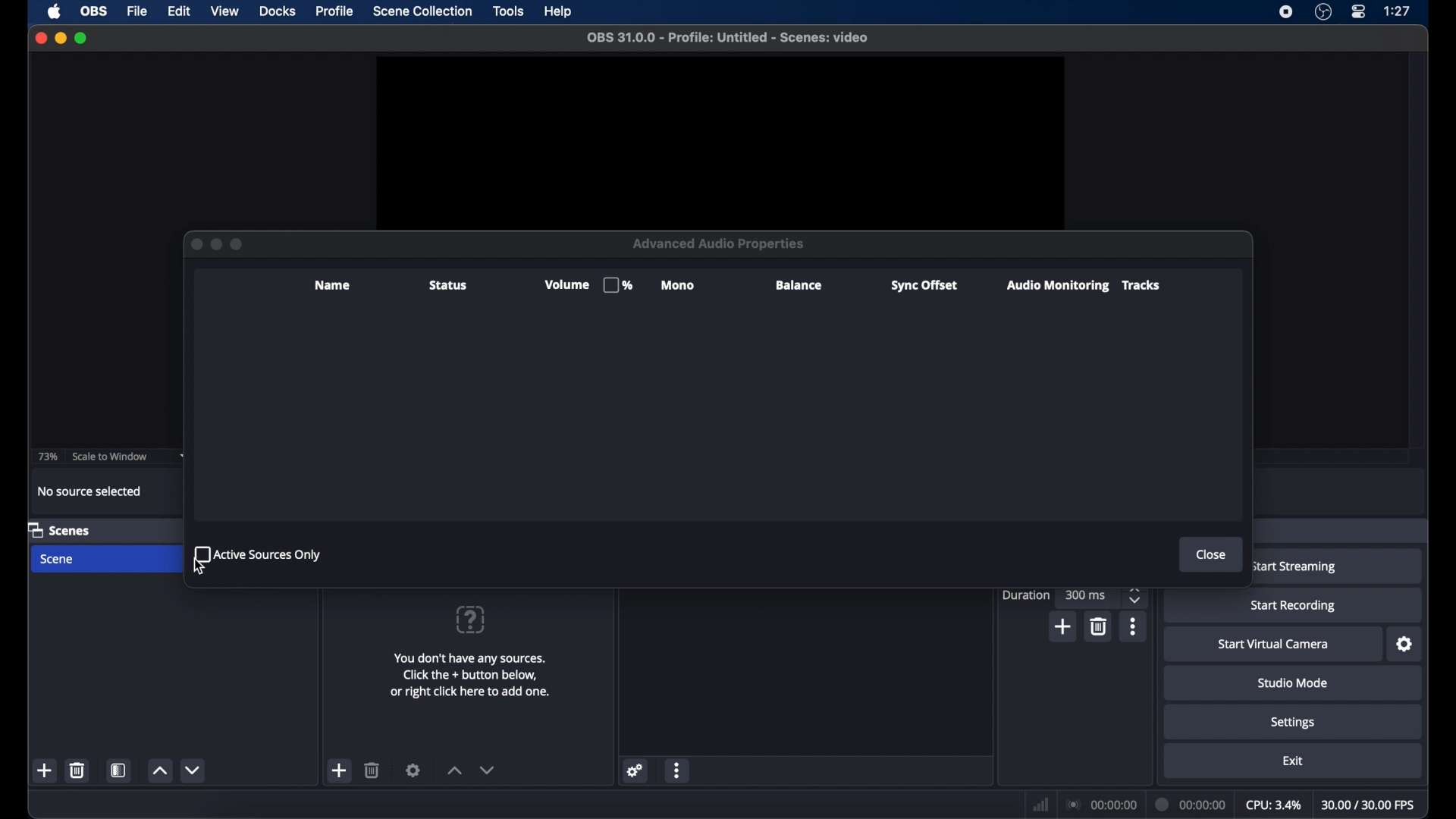 This screenshot has width=1456, height=819. What do you see at coordinates (469, 619) in the screenshot?
I see `help icon` at bounding box center [469, 619].